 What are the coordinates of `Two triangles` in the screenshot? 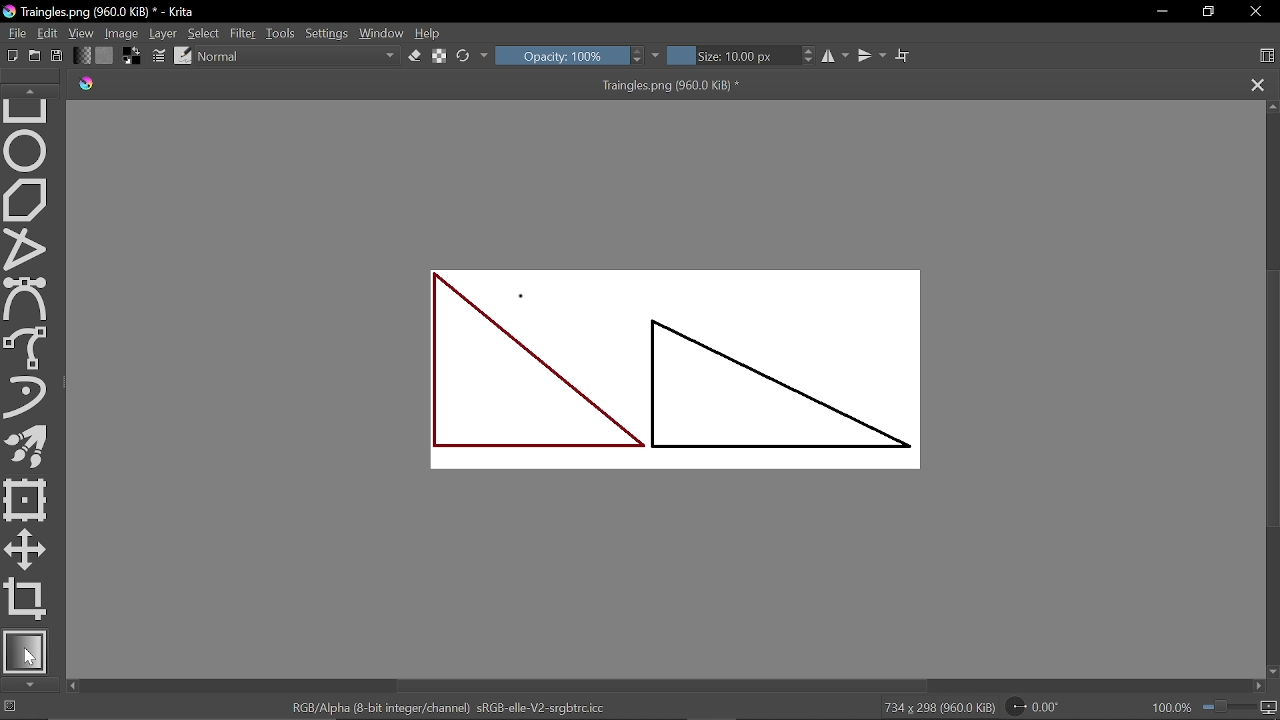 It's located at (689, 366).